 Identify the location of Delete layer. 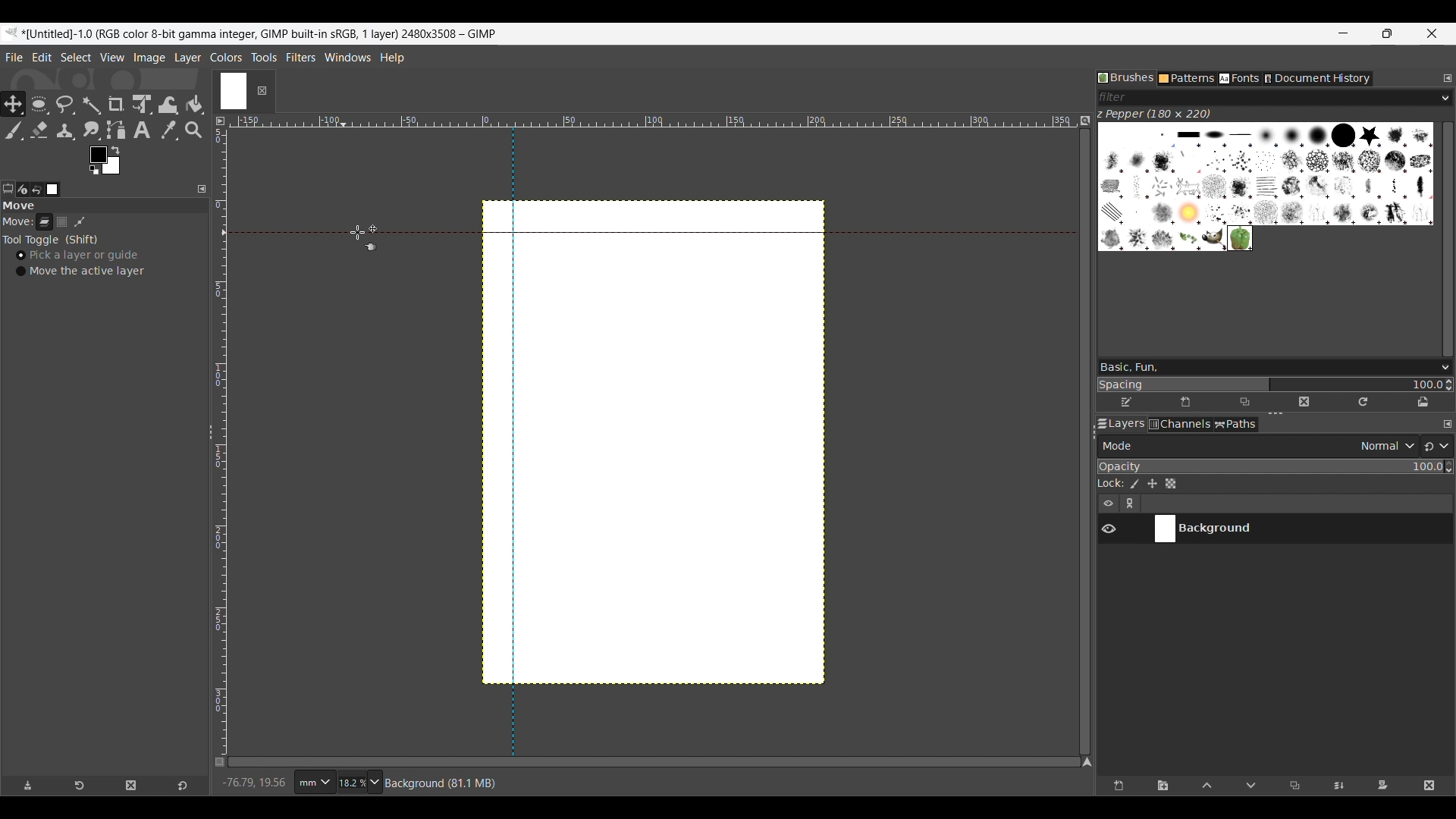
(1429, 786).